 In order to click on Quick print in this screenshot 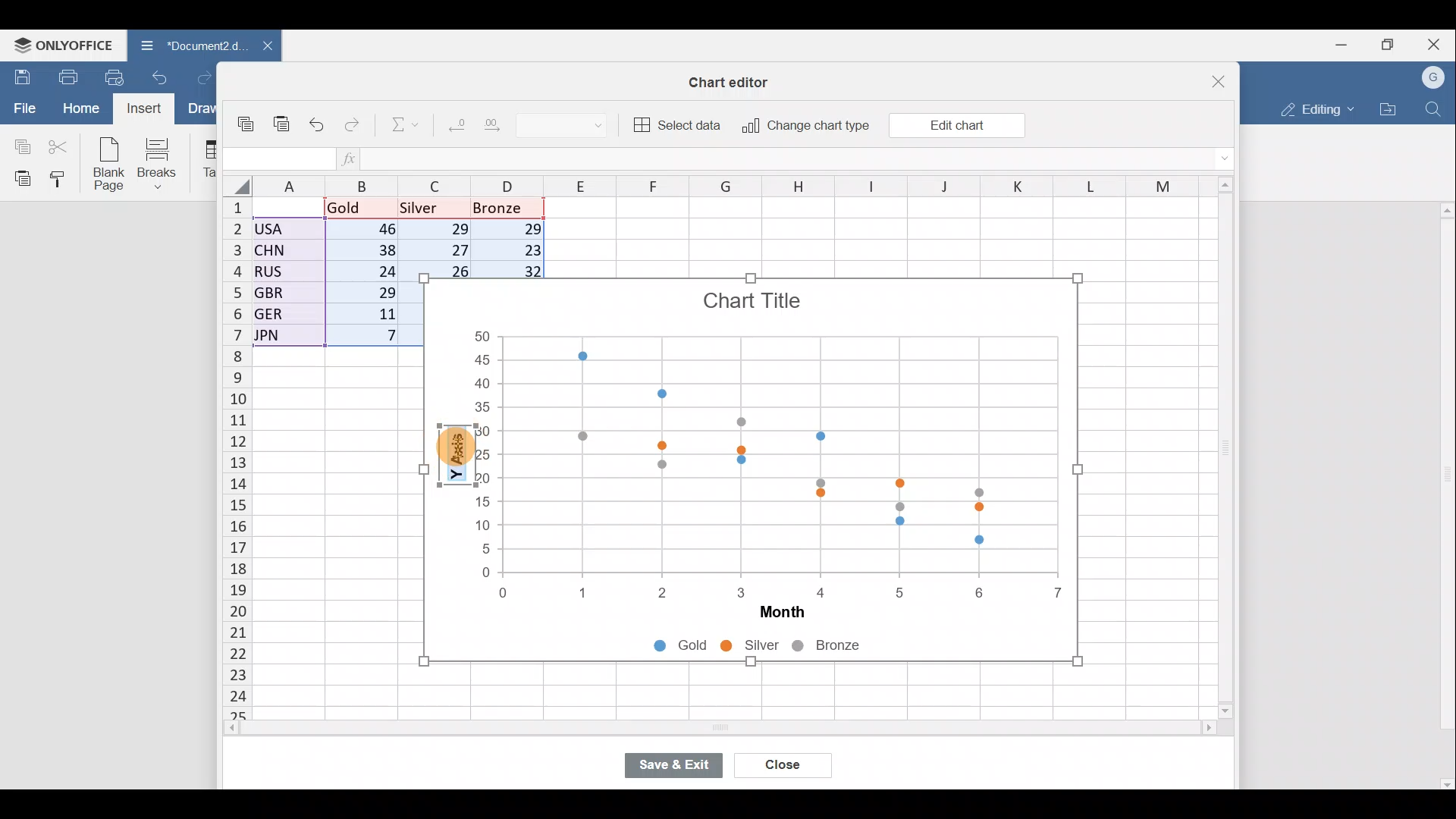, I will do `click(114, 77)`.